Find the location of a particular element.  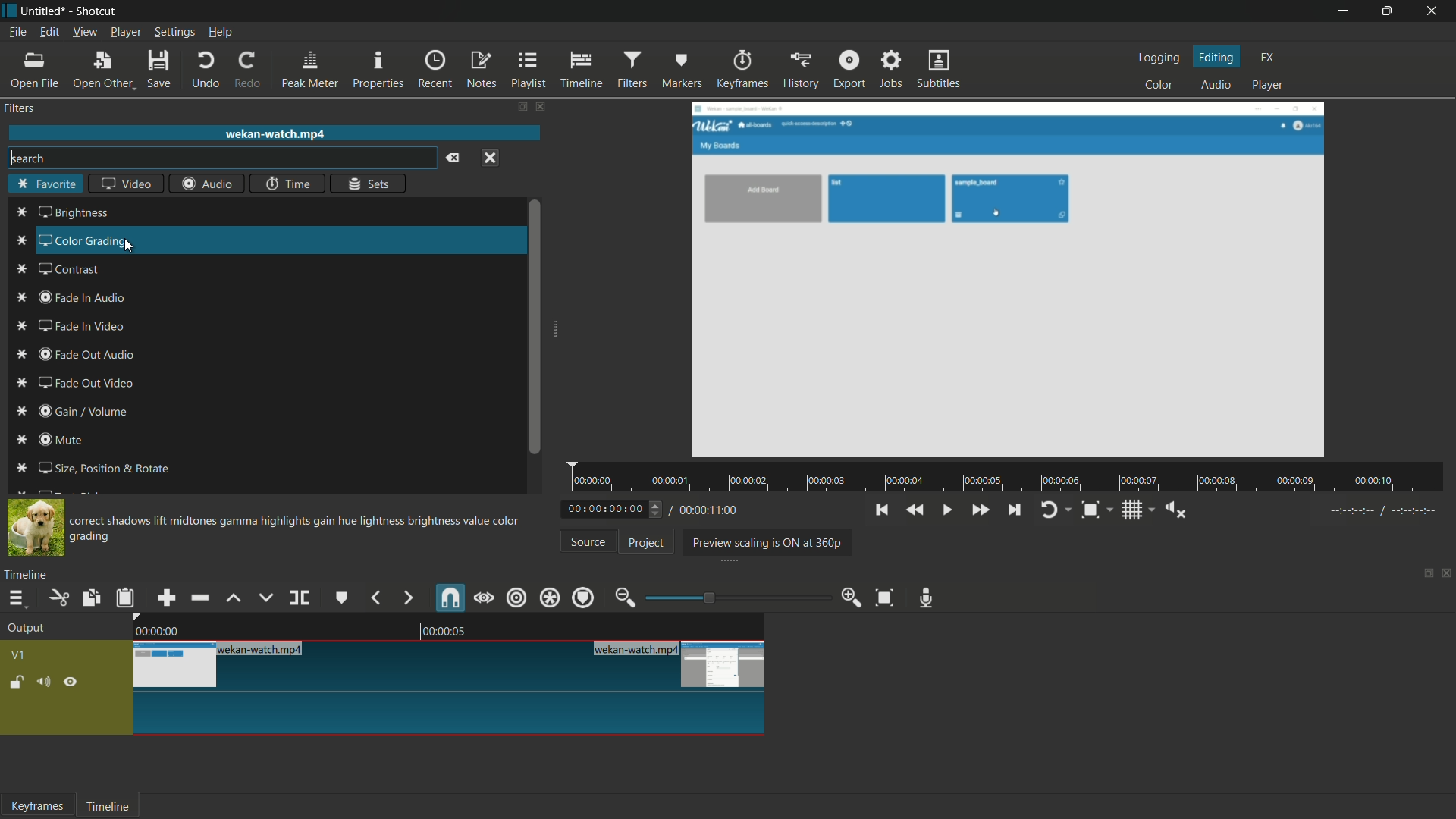

audio is located at coordinates (208, 184).